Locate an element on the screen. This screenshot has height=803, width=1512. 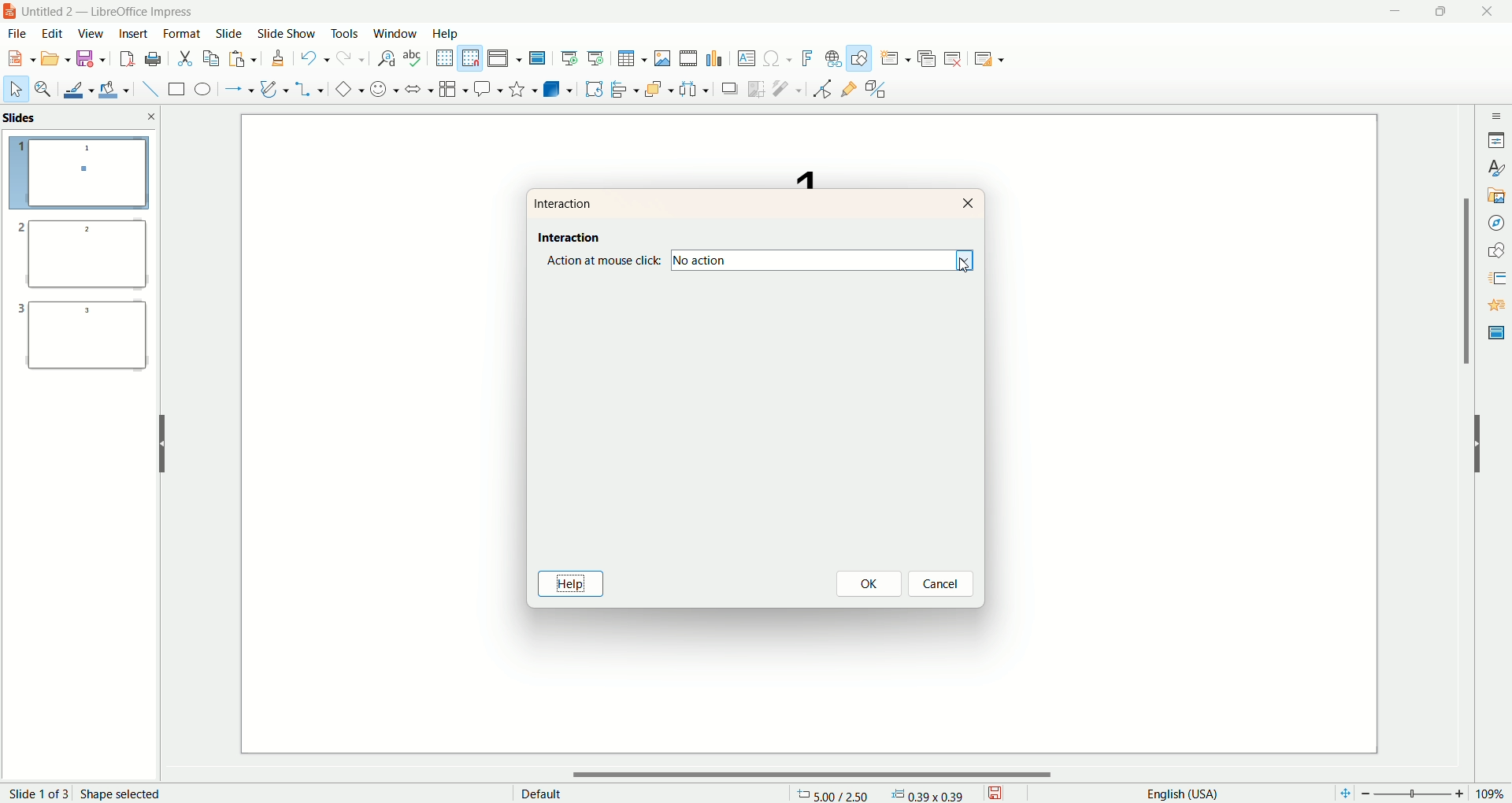
toggle extrusion is located at coordinates (879, 90).